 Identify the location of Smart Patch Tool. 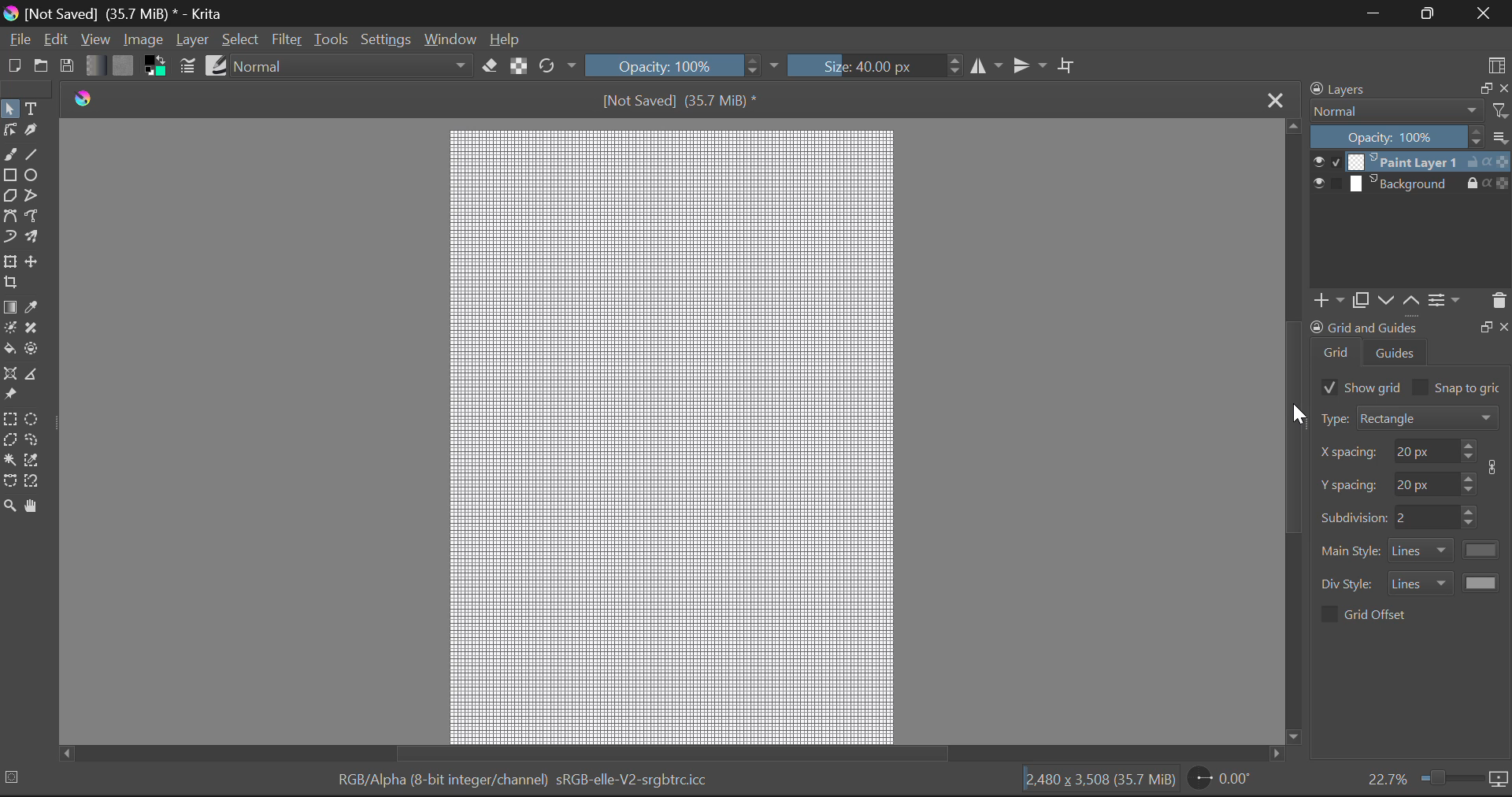
(31, 329).